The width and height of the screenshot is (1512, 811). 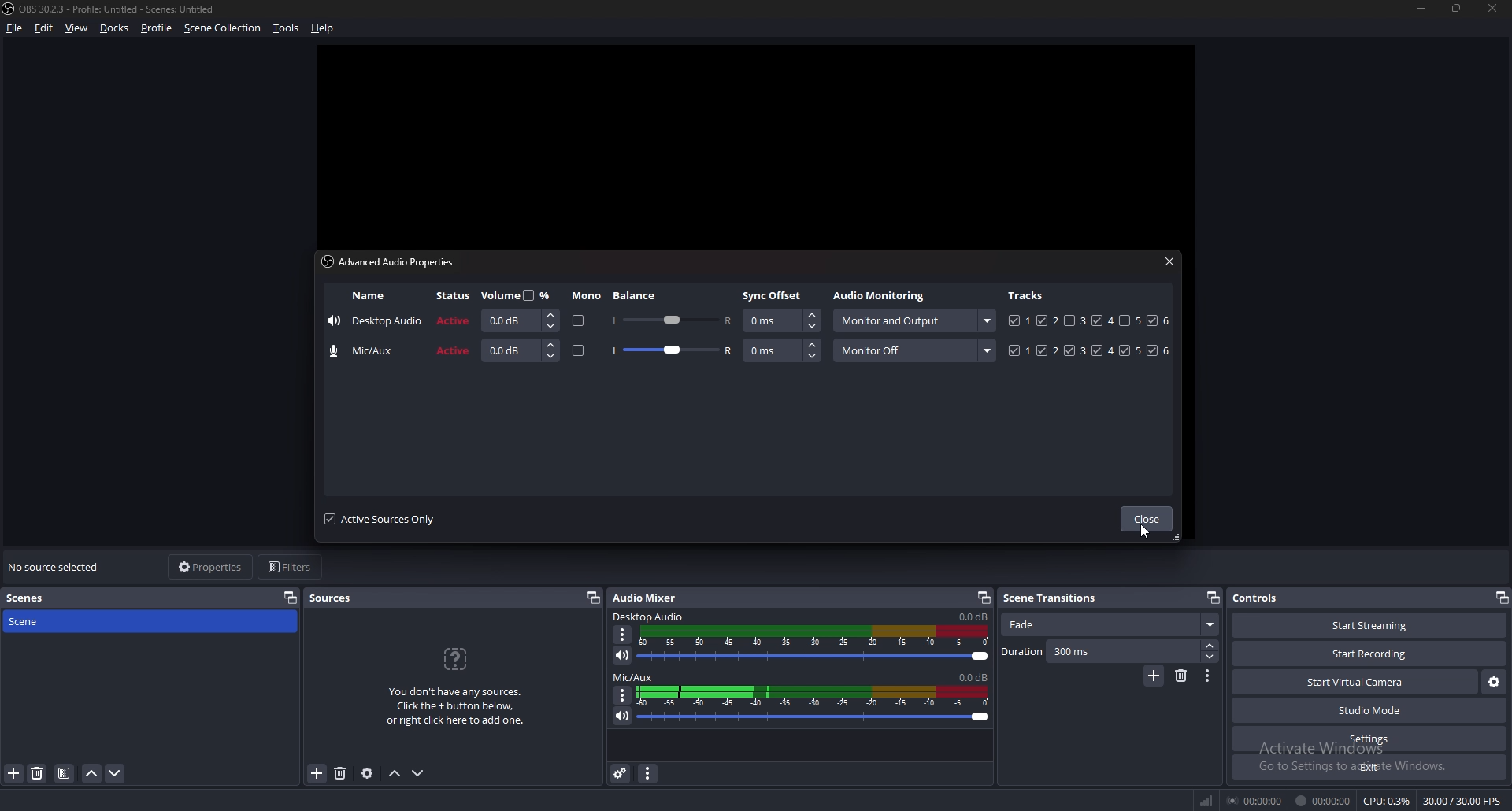 What do you see at coordinates (157, 28) in the screenshot?
I see `profile` at bounding box center [157, 28].